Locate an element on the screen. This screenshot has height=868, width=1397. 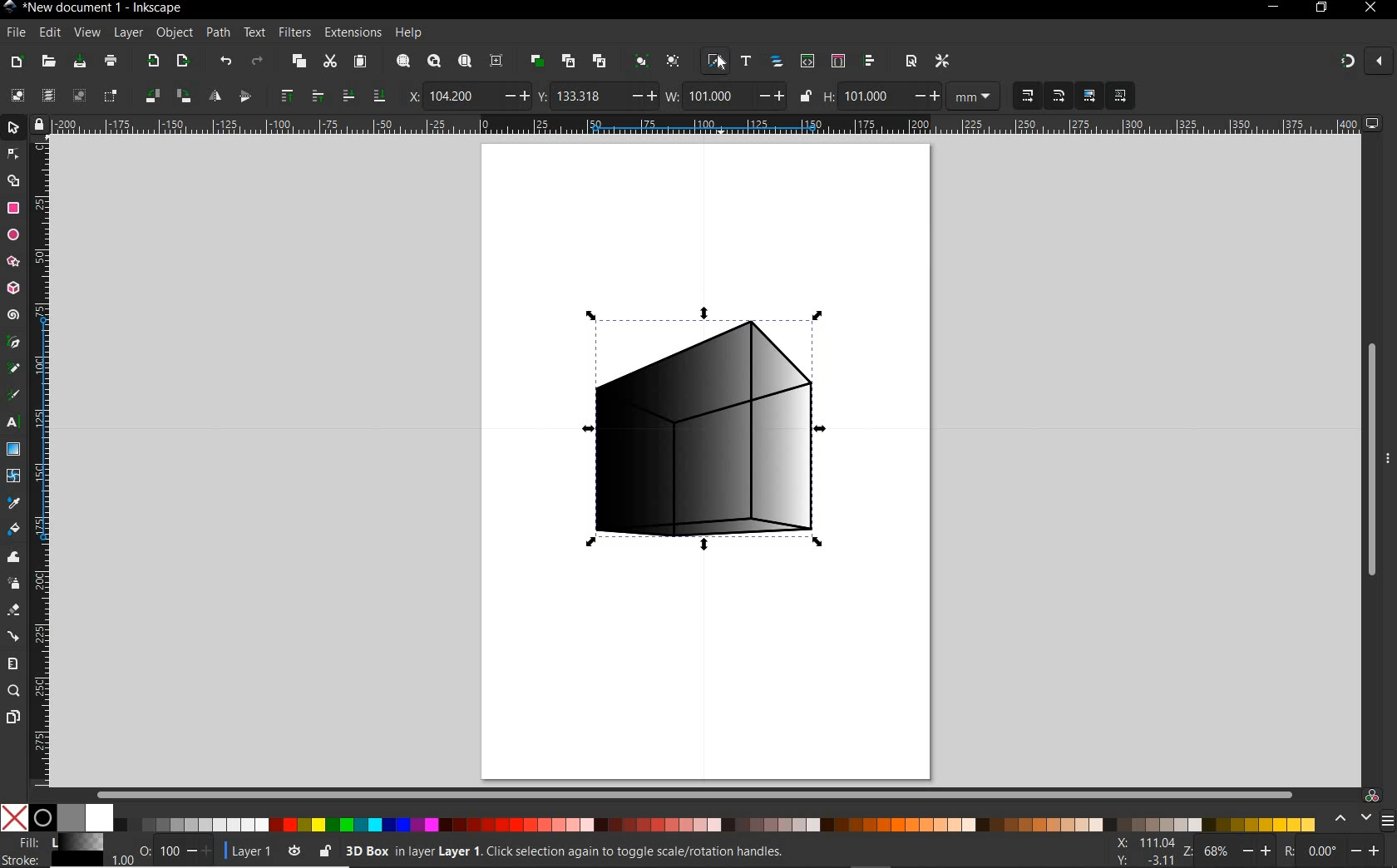
SCROLLBAR is located at coordinates (695, 795).